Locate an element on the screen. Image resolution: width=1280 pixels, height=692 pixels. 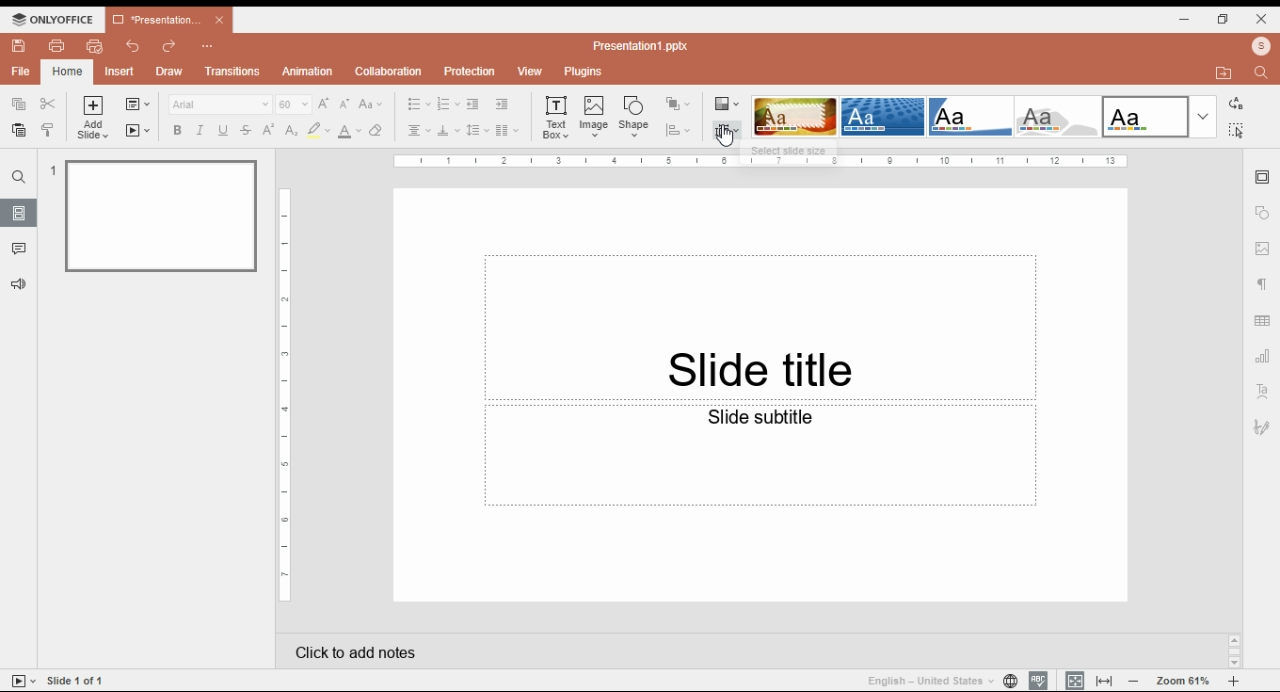
Zoom 61% is located at coordinates (1185, 679).